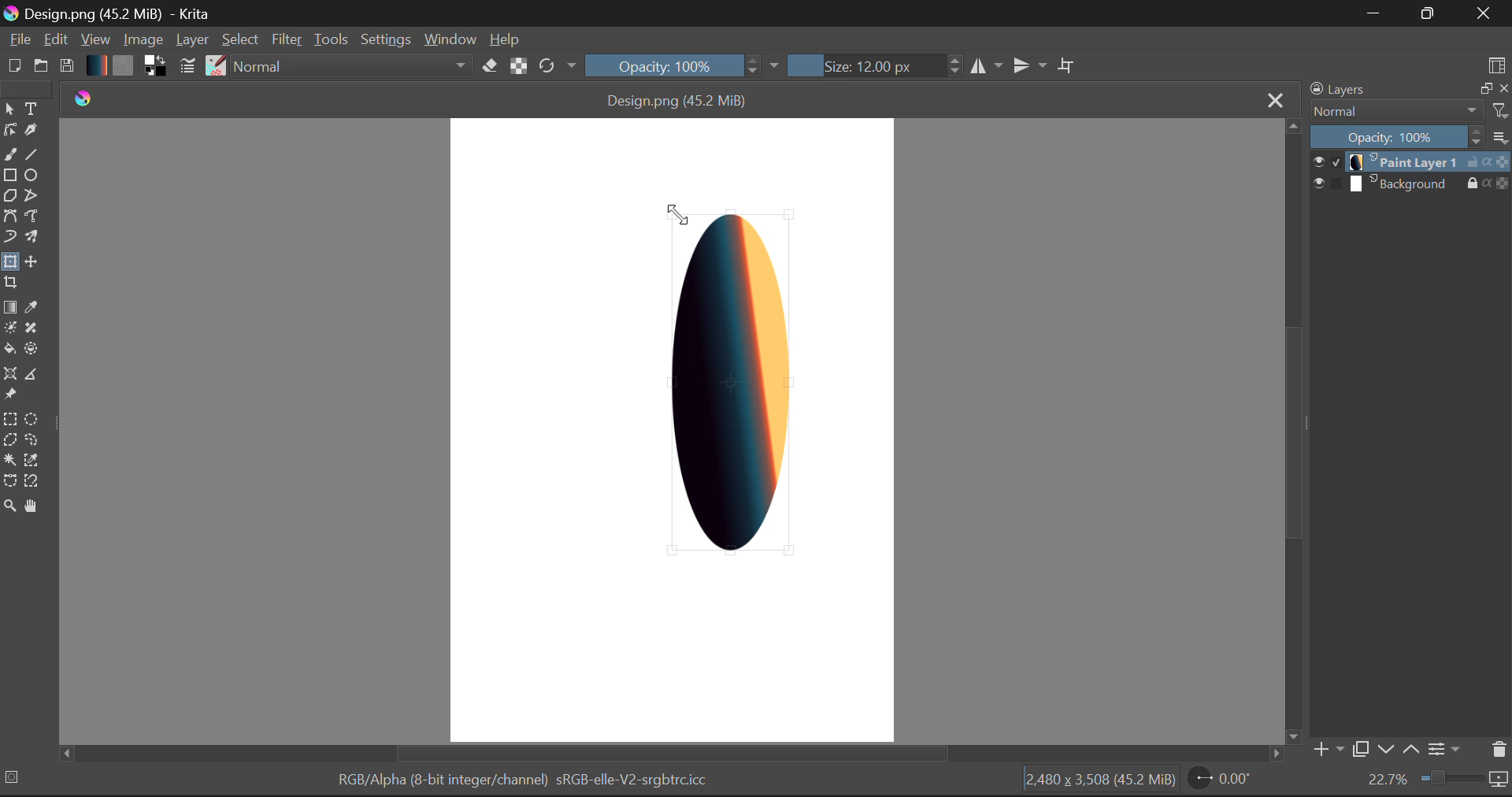 The image size is (1512, 797). Describe the element at coordinates (1291, 430) in the screenshot. I see `Scroll Bar` at that location.